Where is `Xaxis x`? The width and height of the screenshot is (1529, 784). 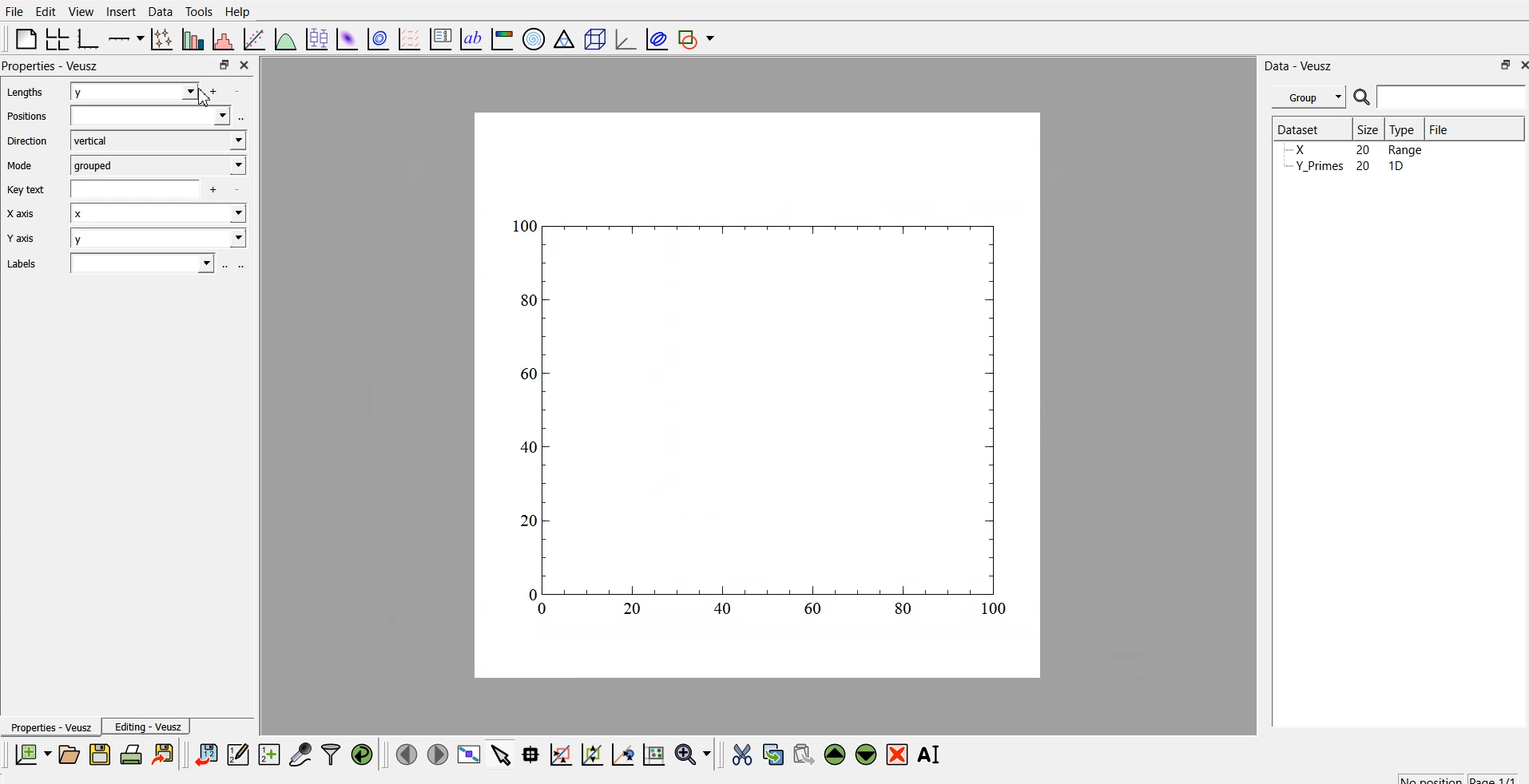
Xaxis x is located at coordinates (131, 216).